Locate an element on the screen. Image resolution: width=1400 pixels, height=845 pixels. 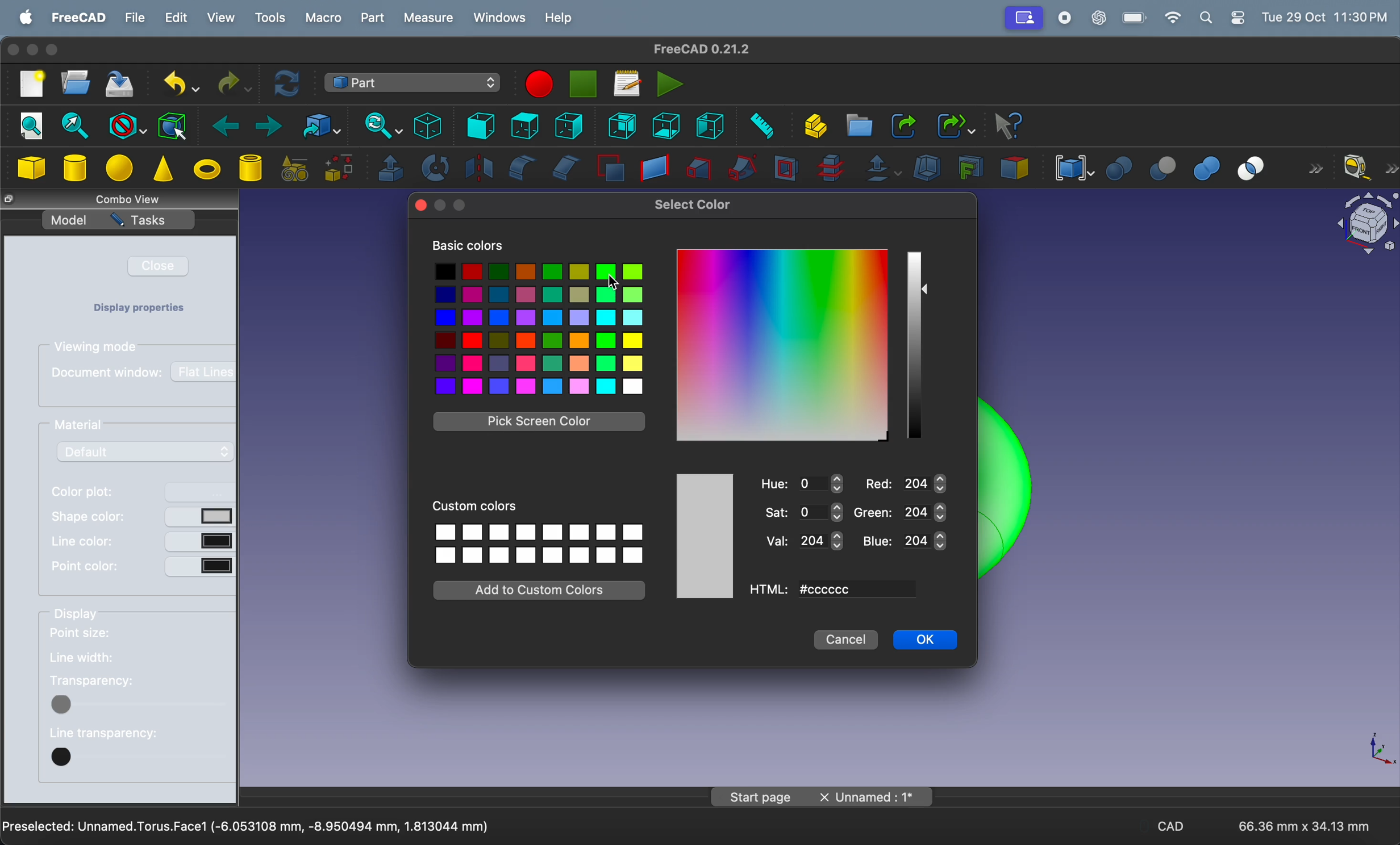
html is located at coordinates (769, 589).